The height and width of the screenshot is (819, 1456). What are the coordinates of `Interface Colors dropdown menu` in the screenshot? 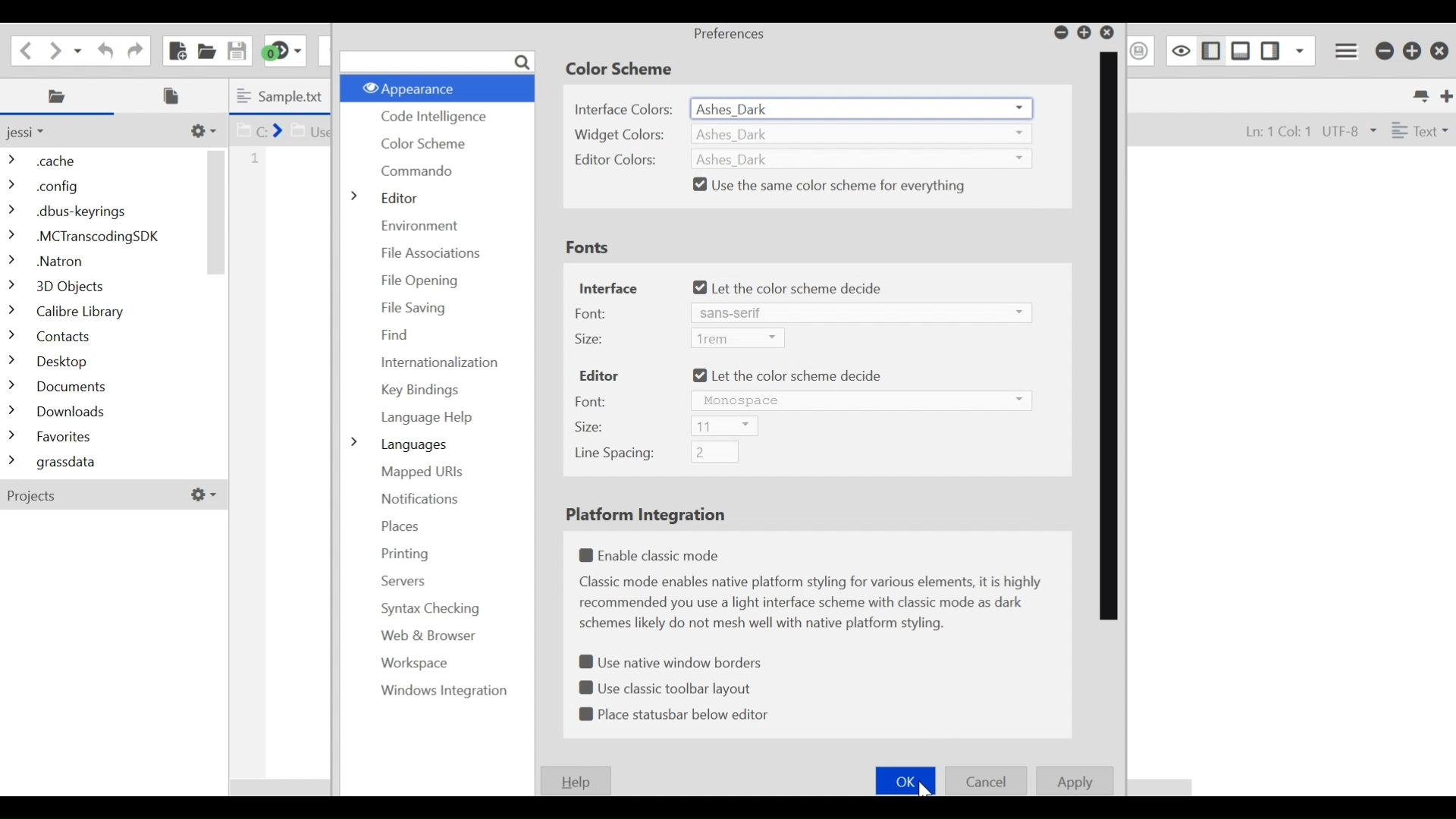 It's located at (863, 108).